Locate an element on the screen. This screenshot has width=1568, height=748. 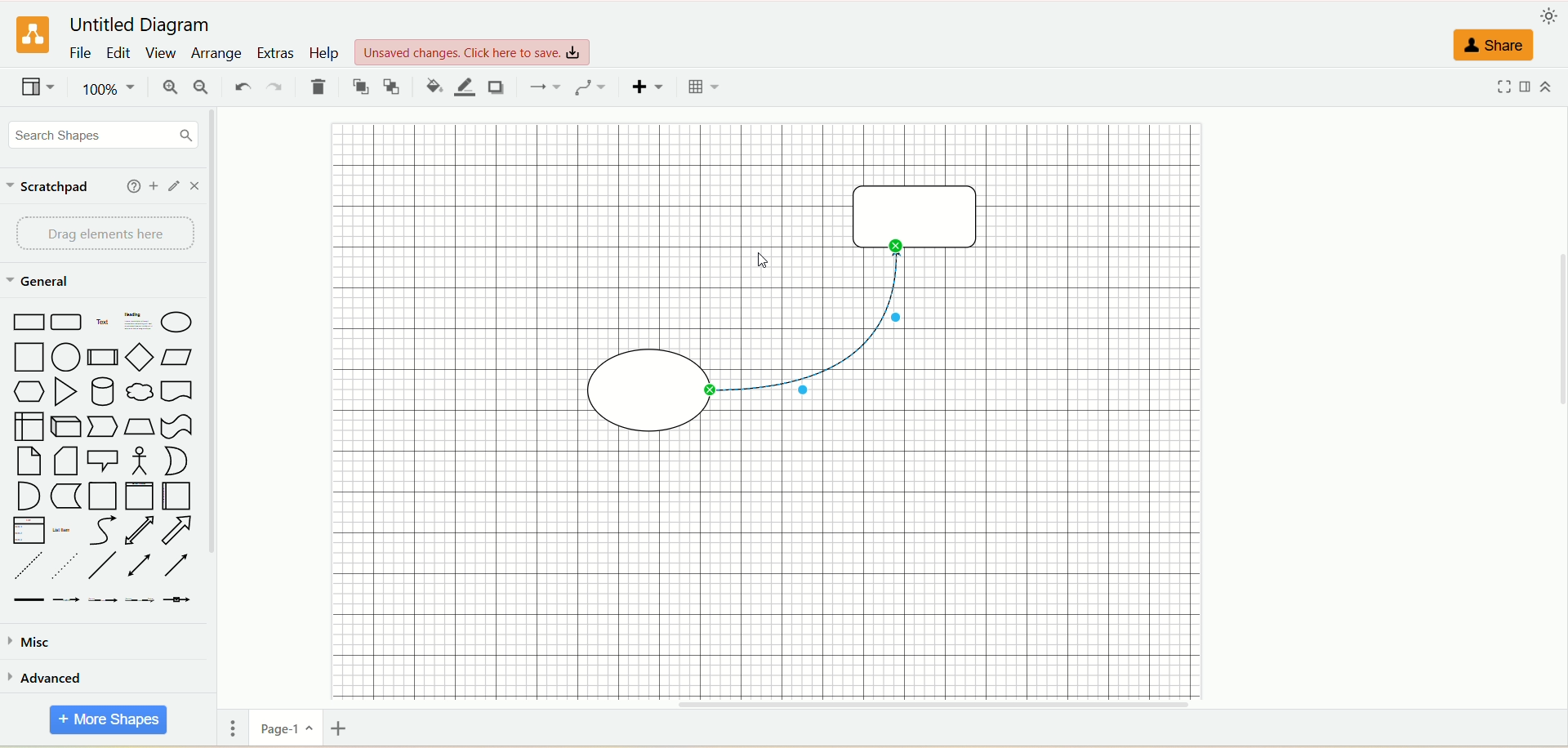
musc is located at coordinates (28, 641).